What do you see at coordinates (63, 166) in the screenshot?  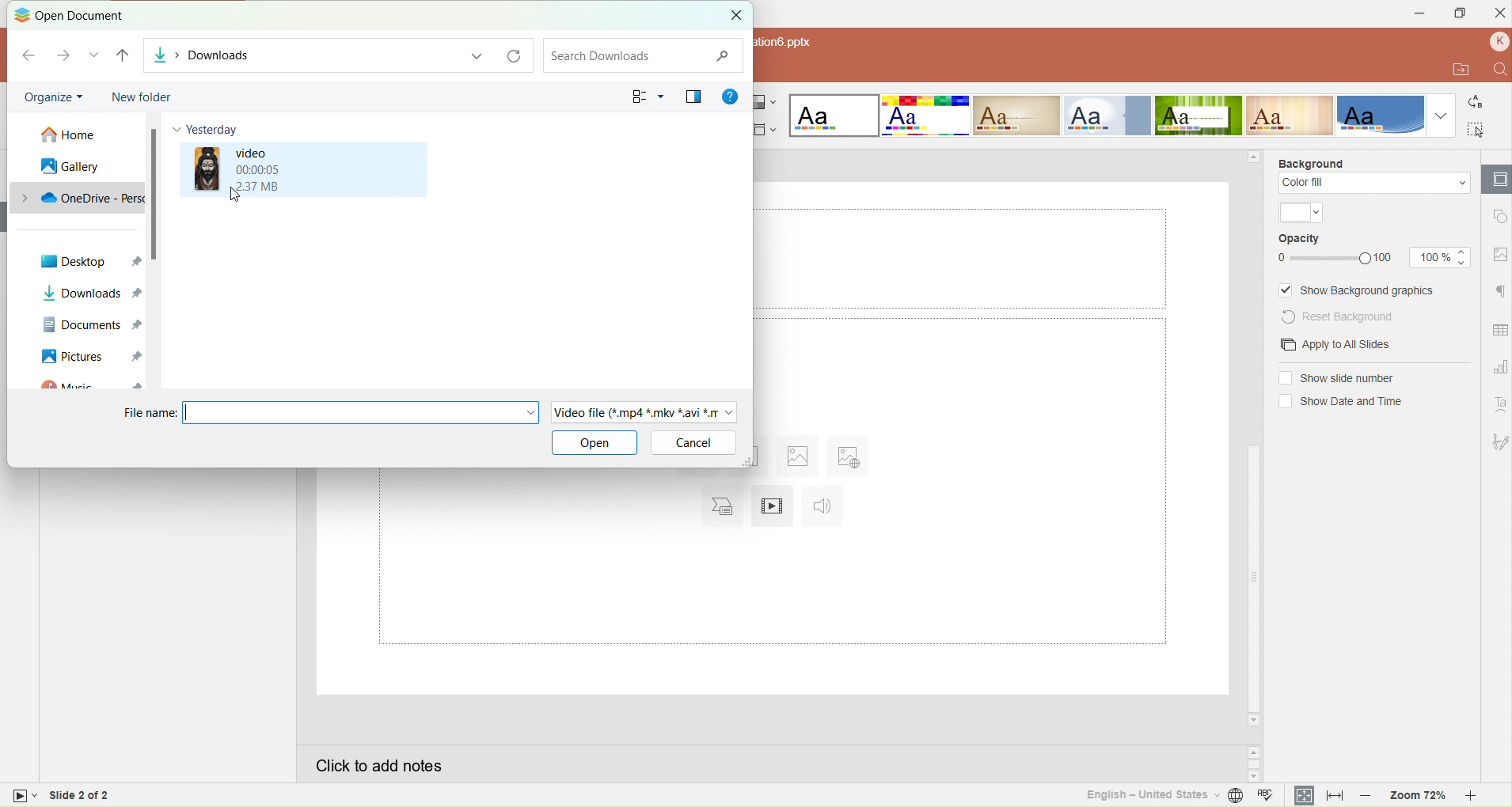 I see `Gallery` at bounding box center [63, 166].